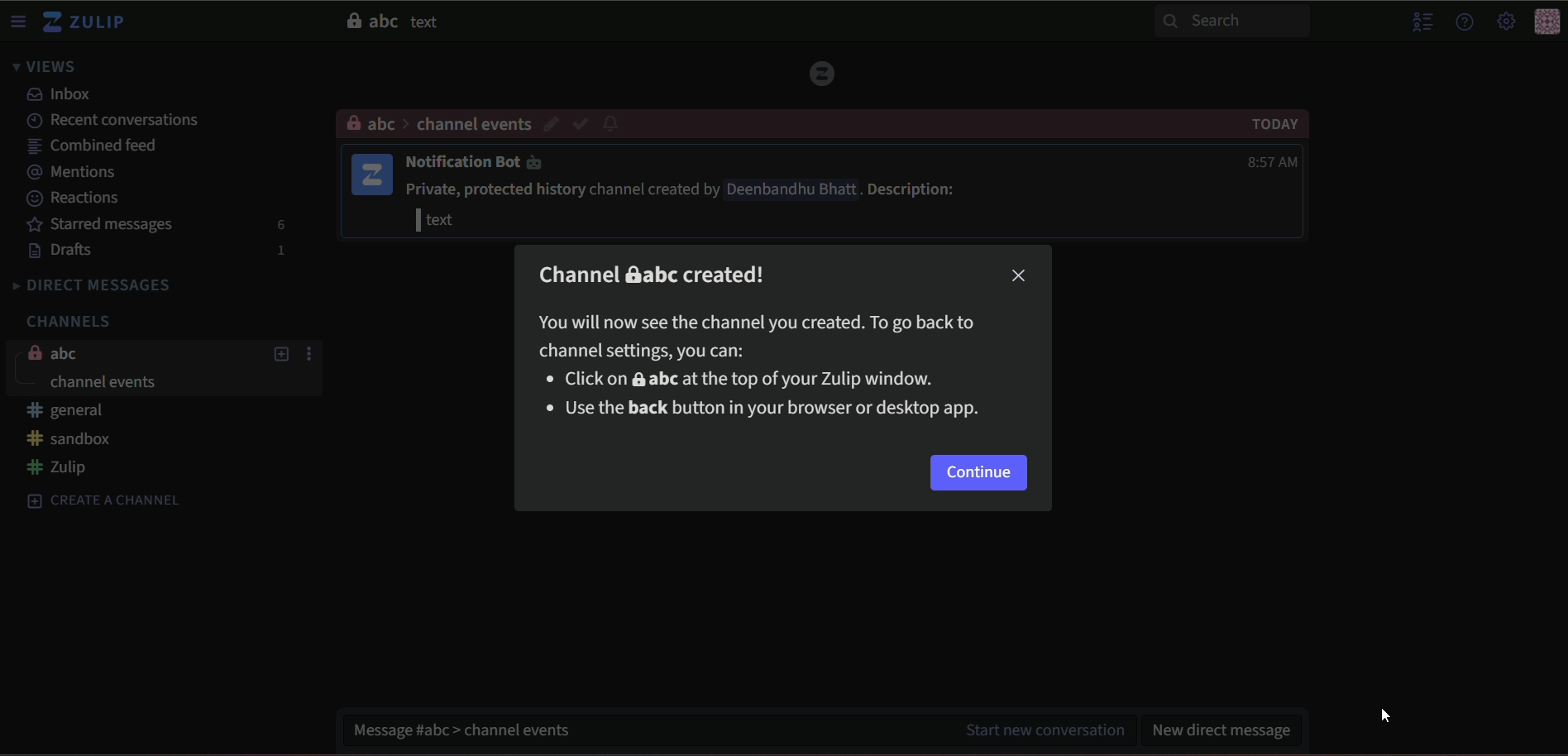 The width and height of the screenshot is (1568, 756). Describe the element at coordinates (734, 380) in the screenshot. I see `Click on & abc at the top of your Zulip window.` at that location.